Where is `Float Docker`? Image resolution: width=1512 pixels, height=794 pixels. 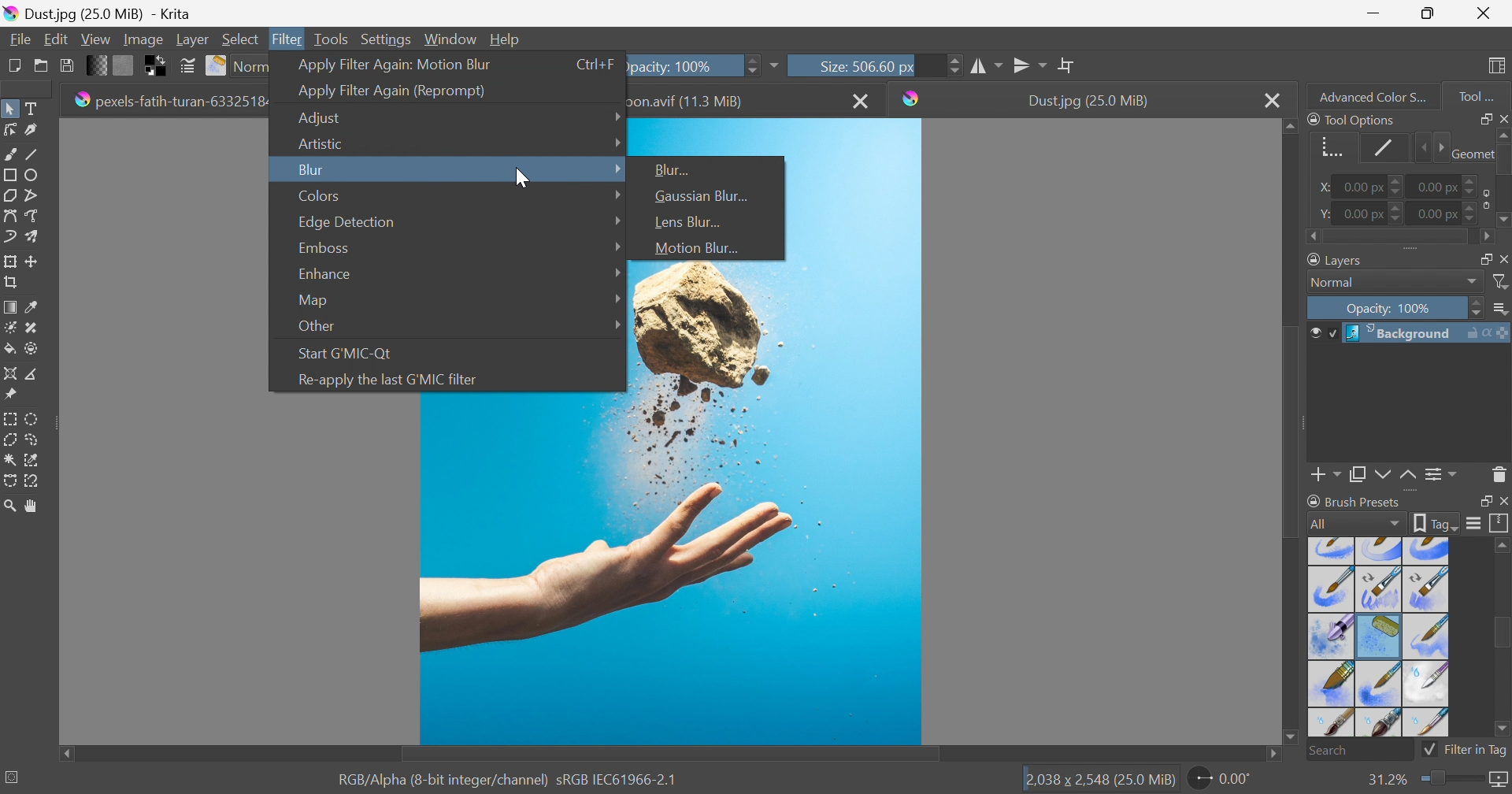
Float Docker is located at coordinates (1483, 502).